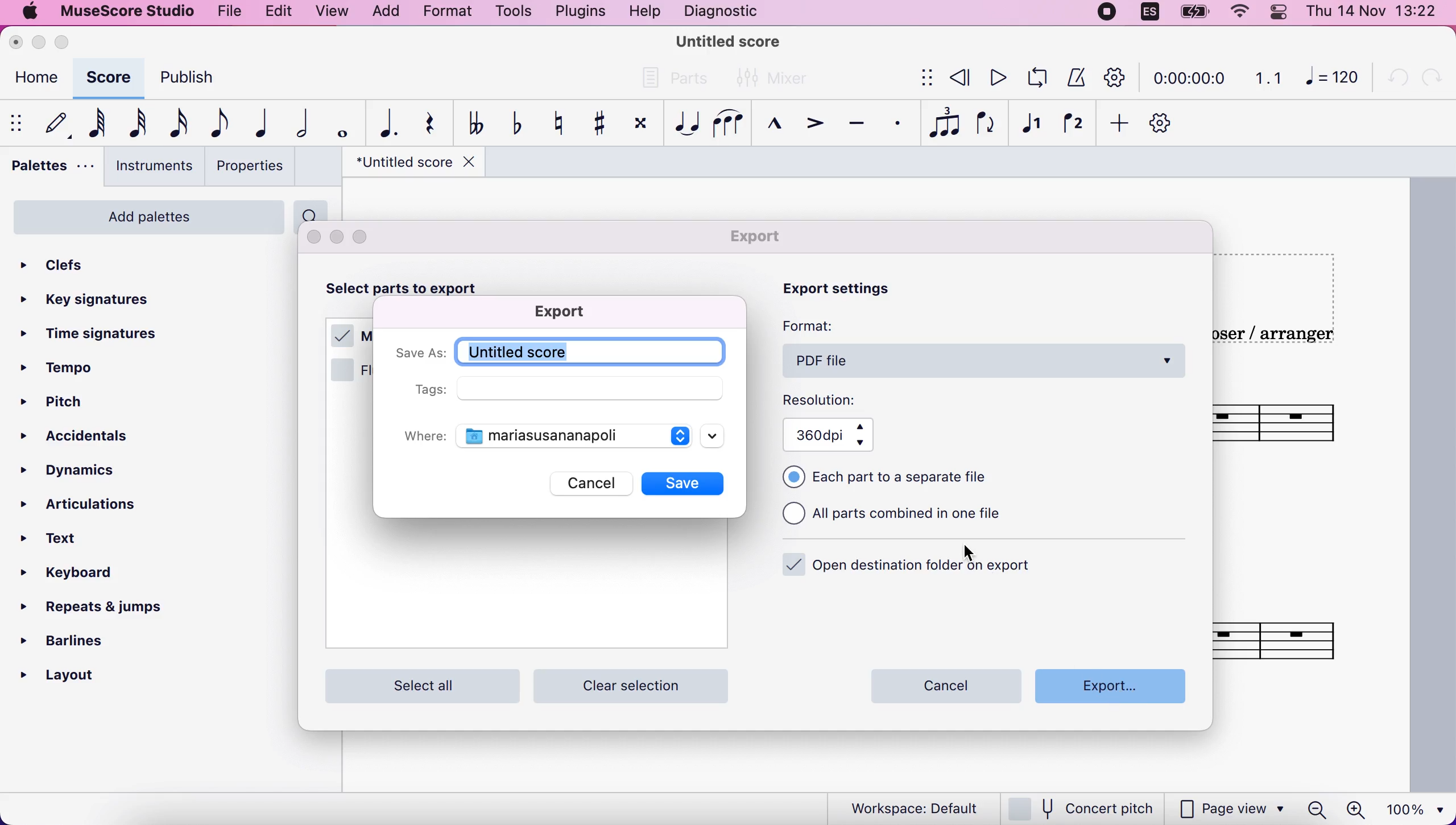 This screenshot has height=825, width=1456. I want to click on view, so click(329, 14).